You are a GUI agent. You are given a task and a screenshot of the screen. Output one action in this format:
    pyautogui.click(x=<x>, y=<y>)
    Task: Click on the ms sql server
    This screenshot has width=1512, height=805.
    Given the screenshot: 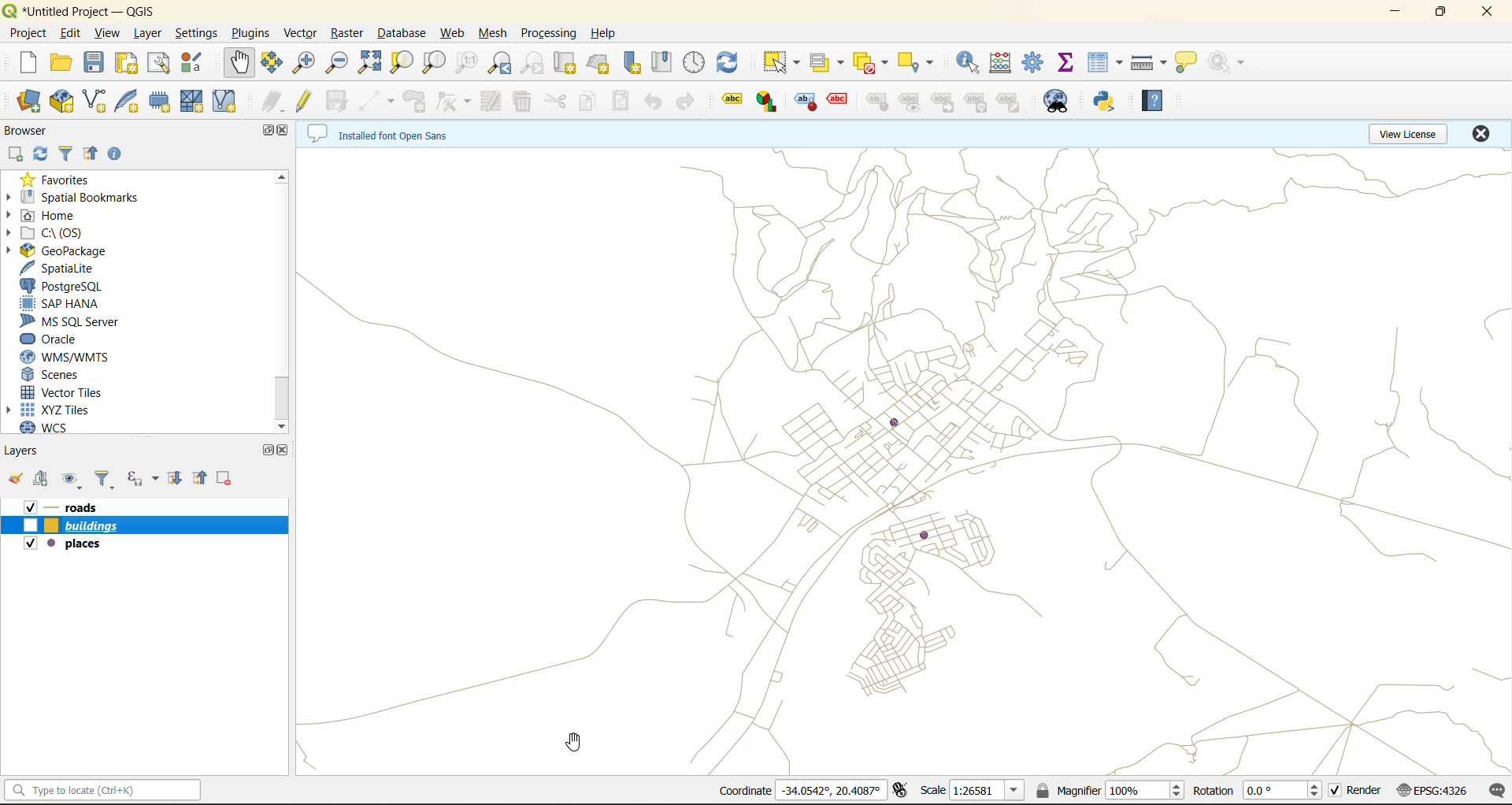 What is the action you would take?
    pyautogui.click(x=74, y=323)
    